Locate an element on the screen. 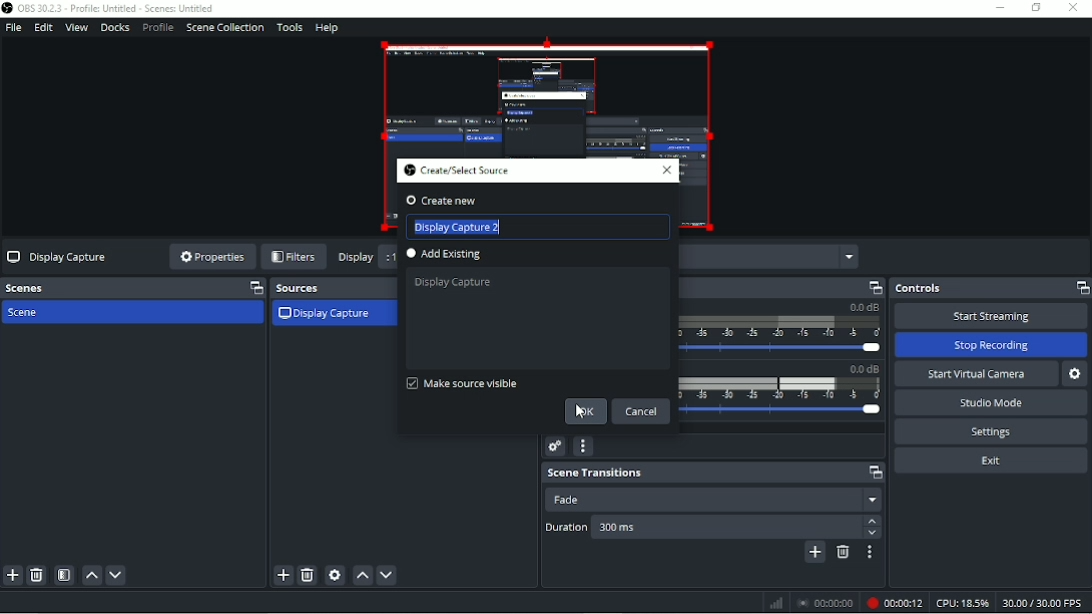 This screenshot has width=1092, height=614. Controls is located at coordinates (990, 288).